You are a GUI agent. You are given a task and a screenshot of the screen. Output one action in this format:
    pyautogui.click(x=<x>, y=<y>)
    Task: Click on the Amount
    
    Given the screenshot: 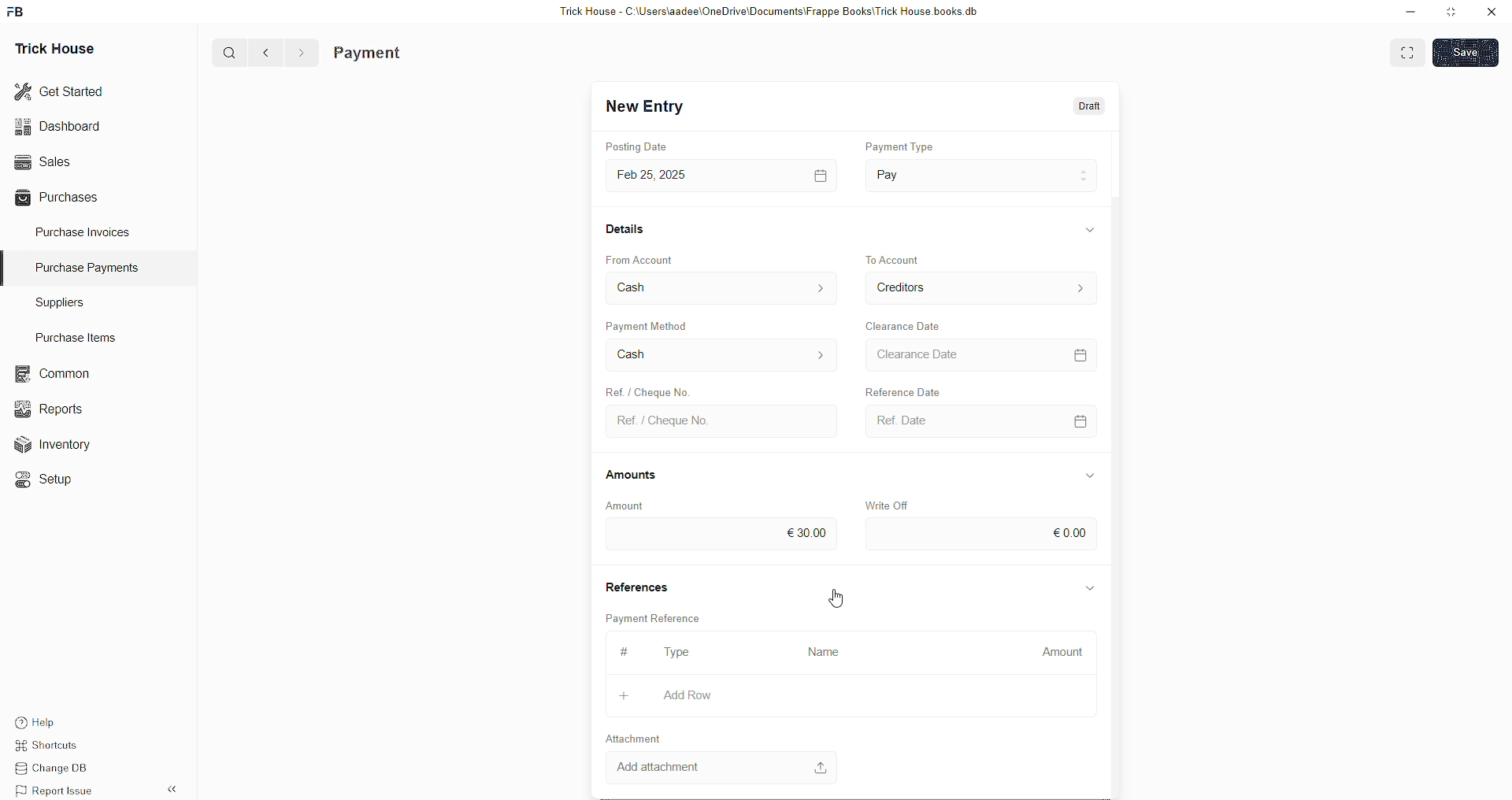 What is the action you would take?
    pyautogui.click(x=630, y=504)
    